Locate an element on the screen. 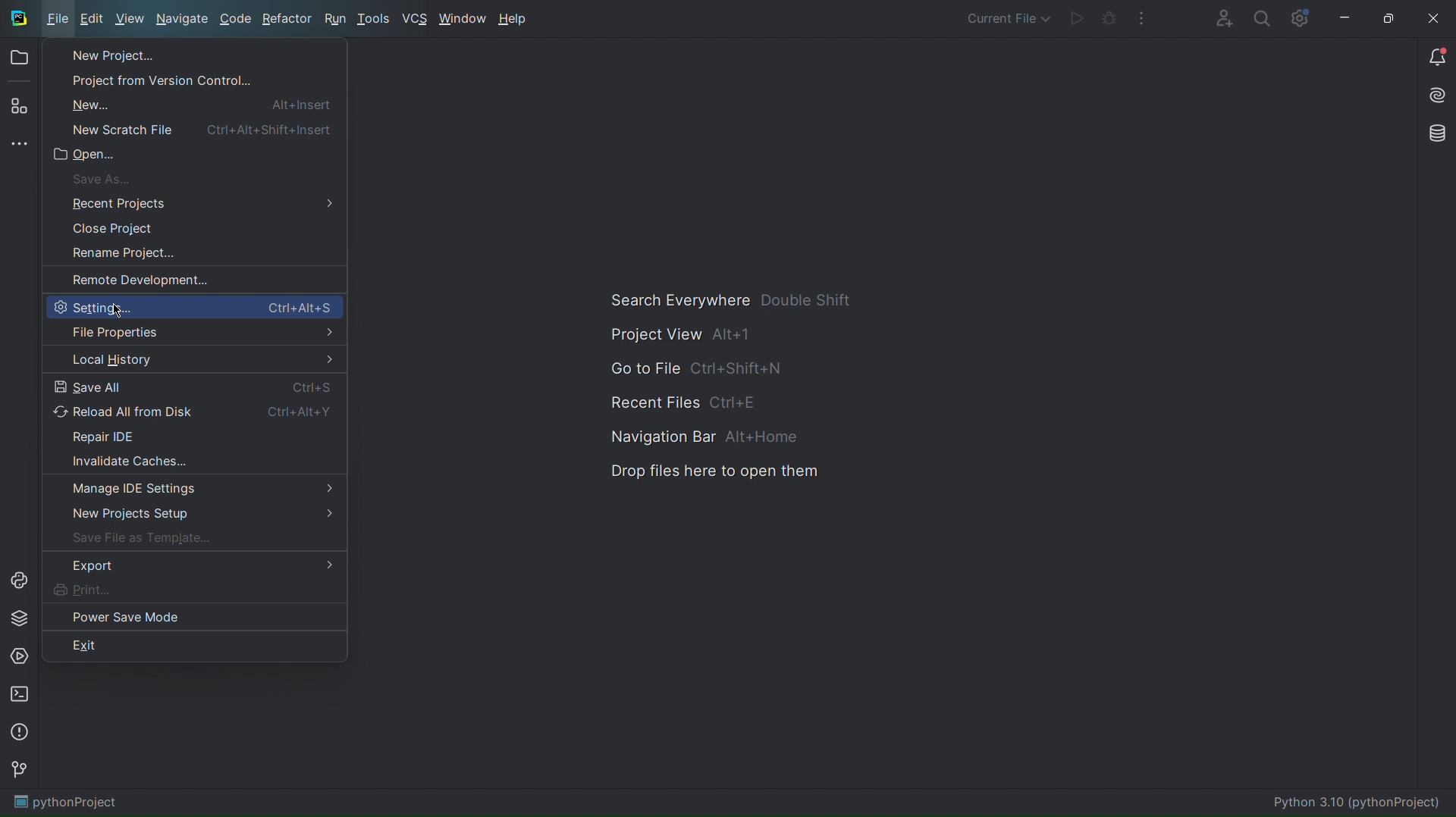 This screenshot has width=1456, height=817. Minimize  is located at coordinates (1344, 18).